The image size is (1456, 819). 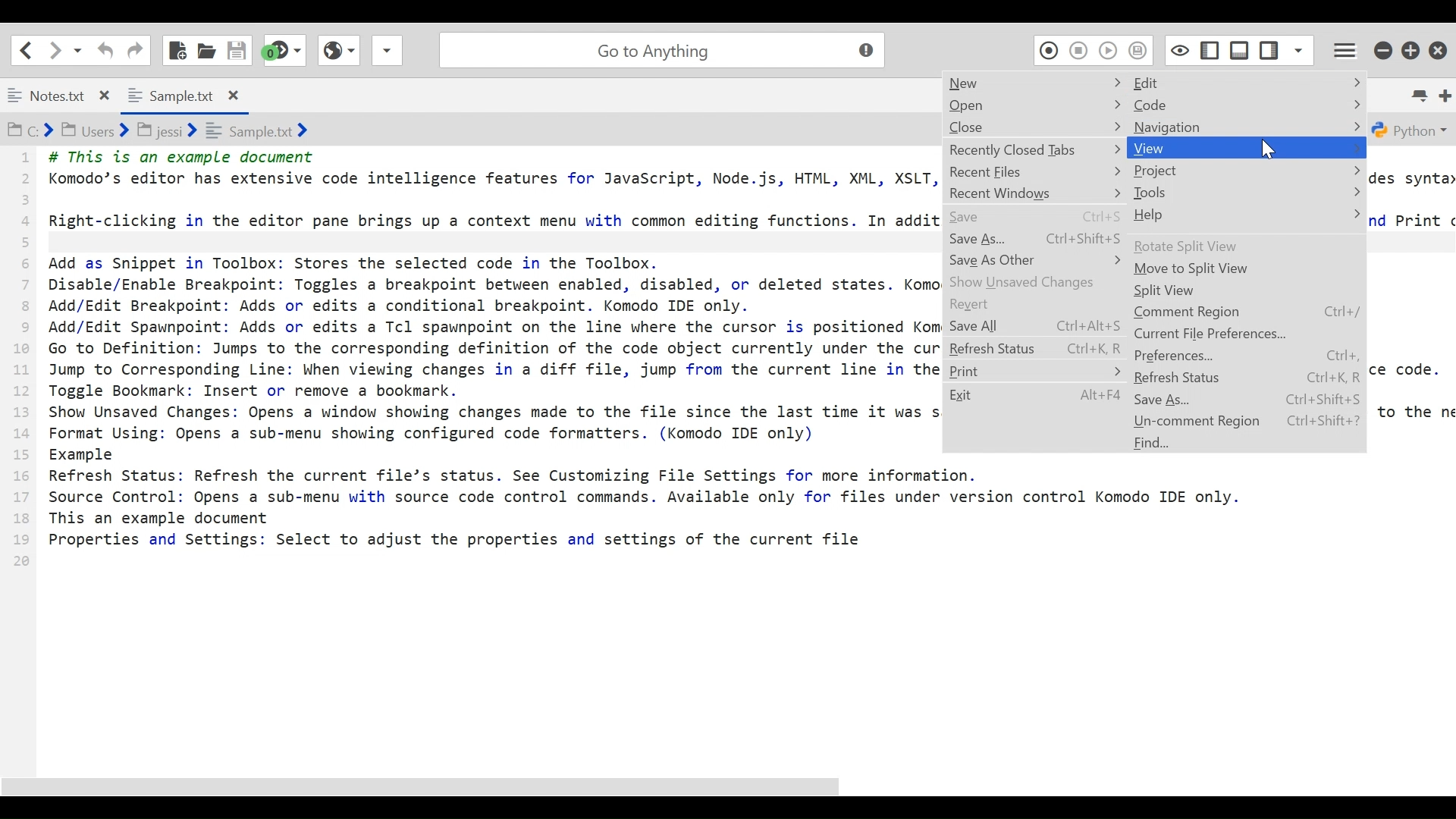 I want to click on Refresh Status Ctrl+K, R, so click(x=1036, y=347).